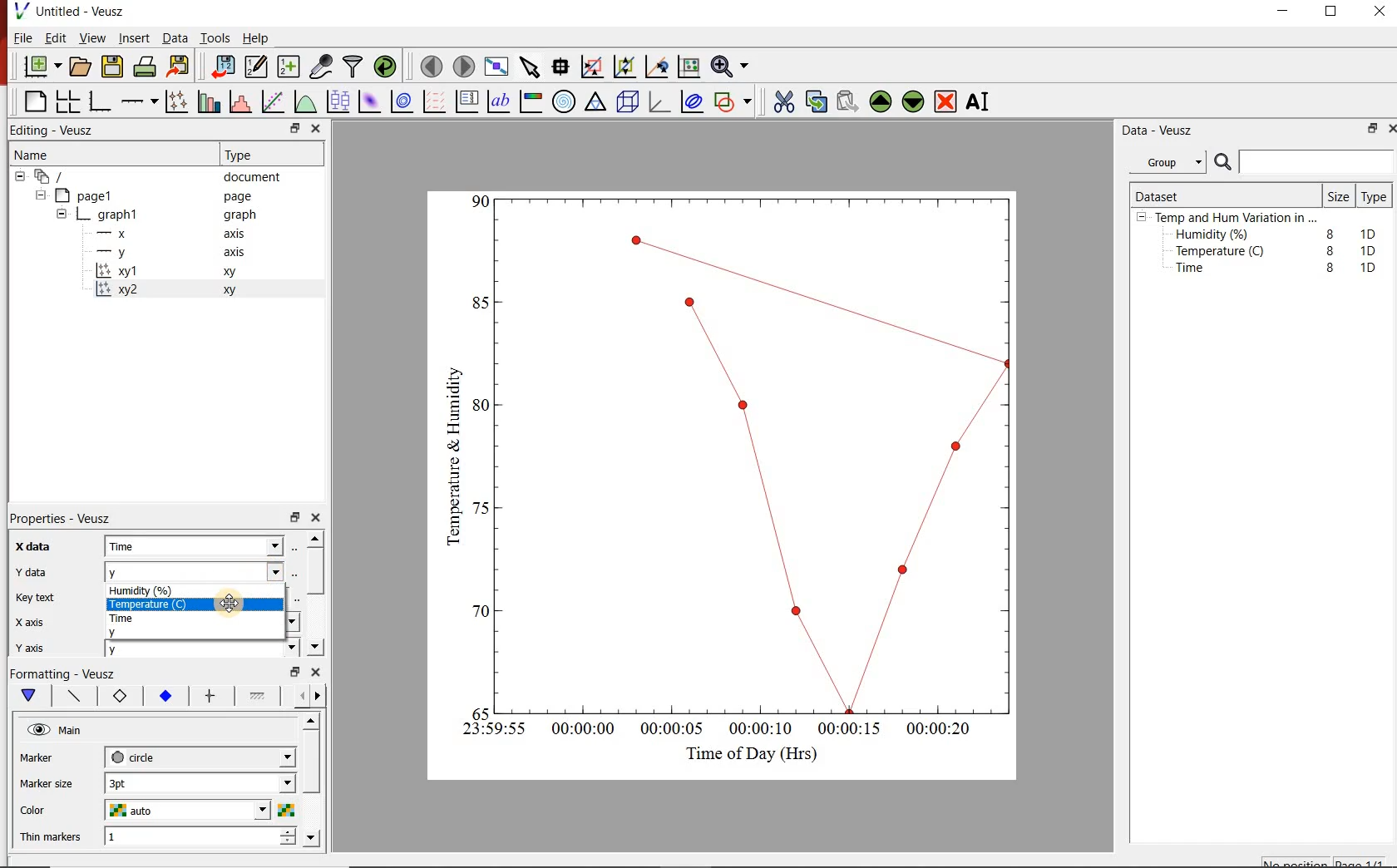 The image size is (1397, 868). Describe the element at coordinates (487, 730) in the screenshot. I see `23:59:55` at that location.